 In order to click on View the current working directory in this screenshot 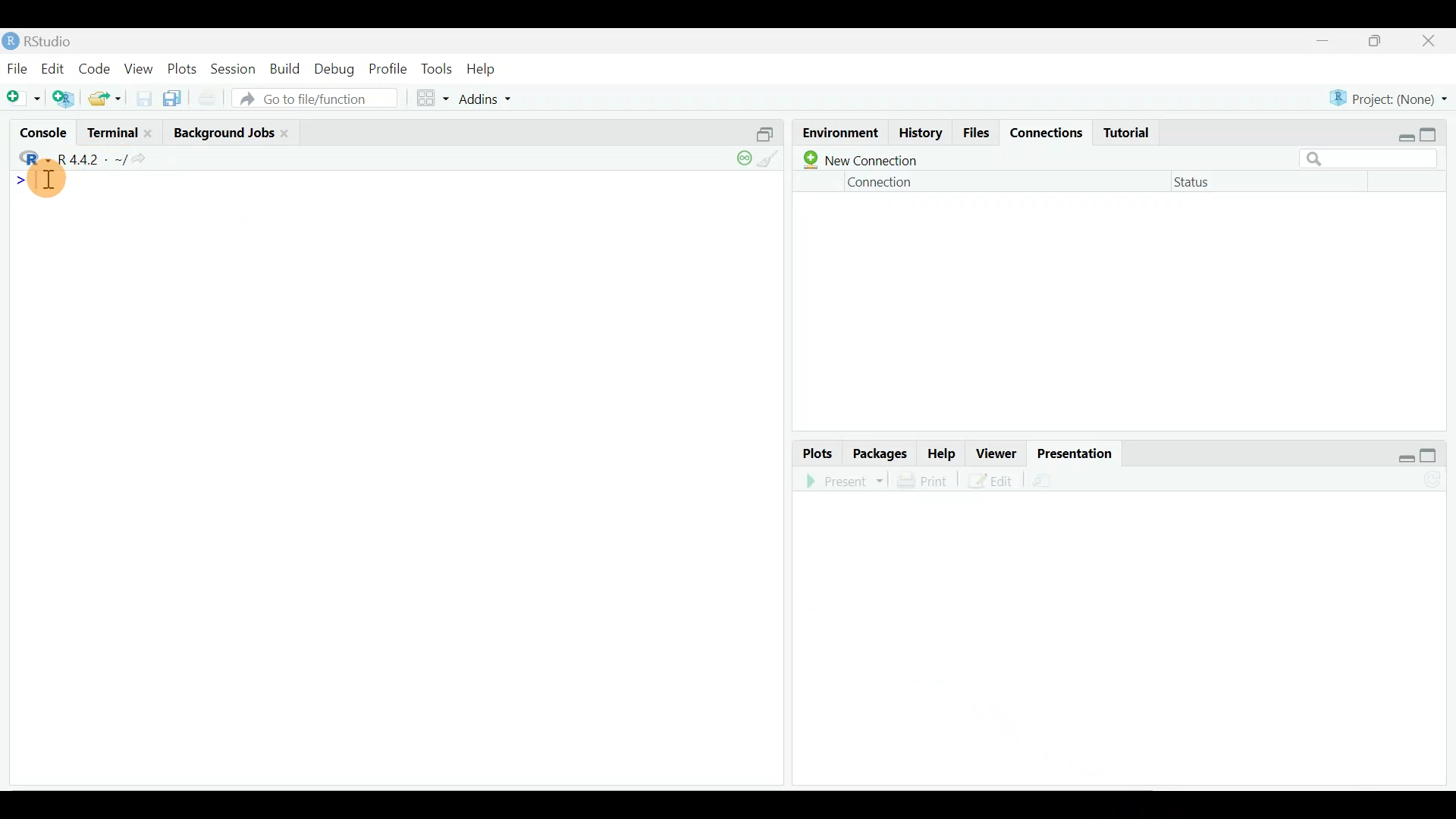, I will do `click(149, 158)`.